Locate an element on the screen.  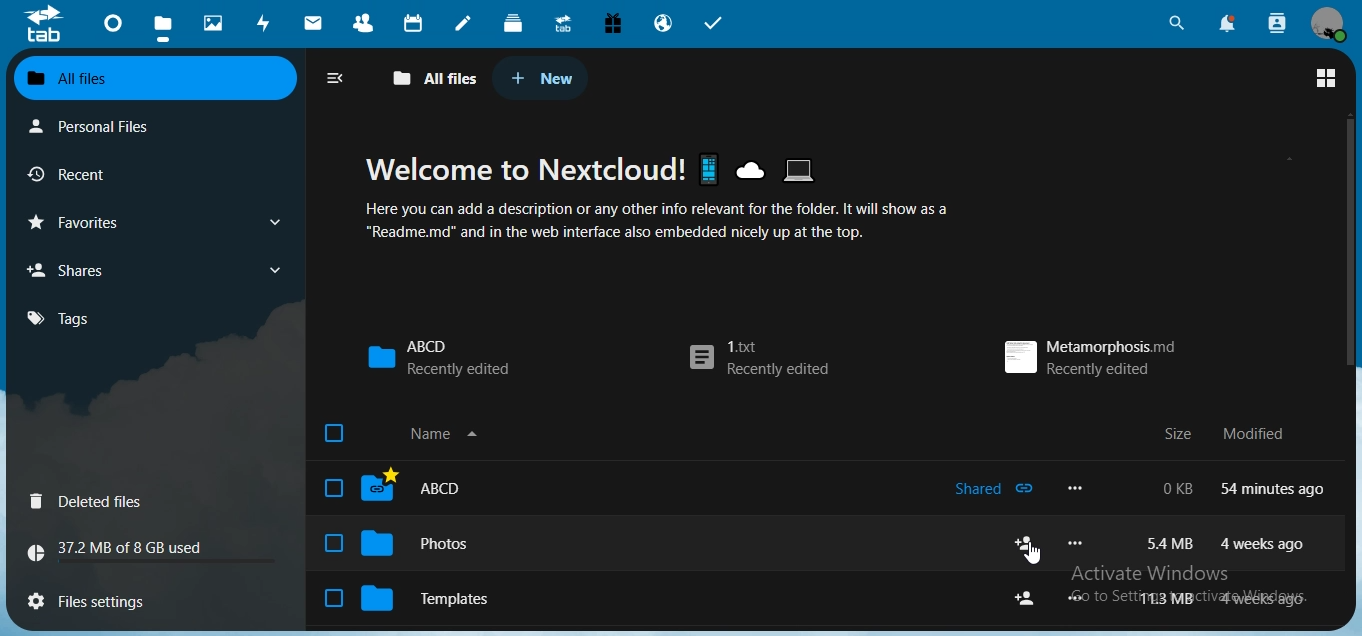
text is located at coordinates (1246, 488).